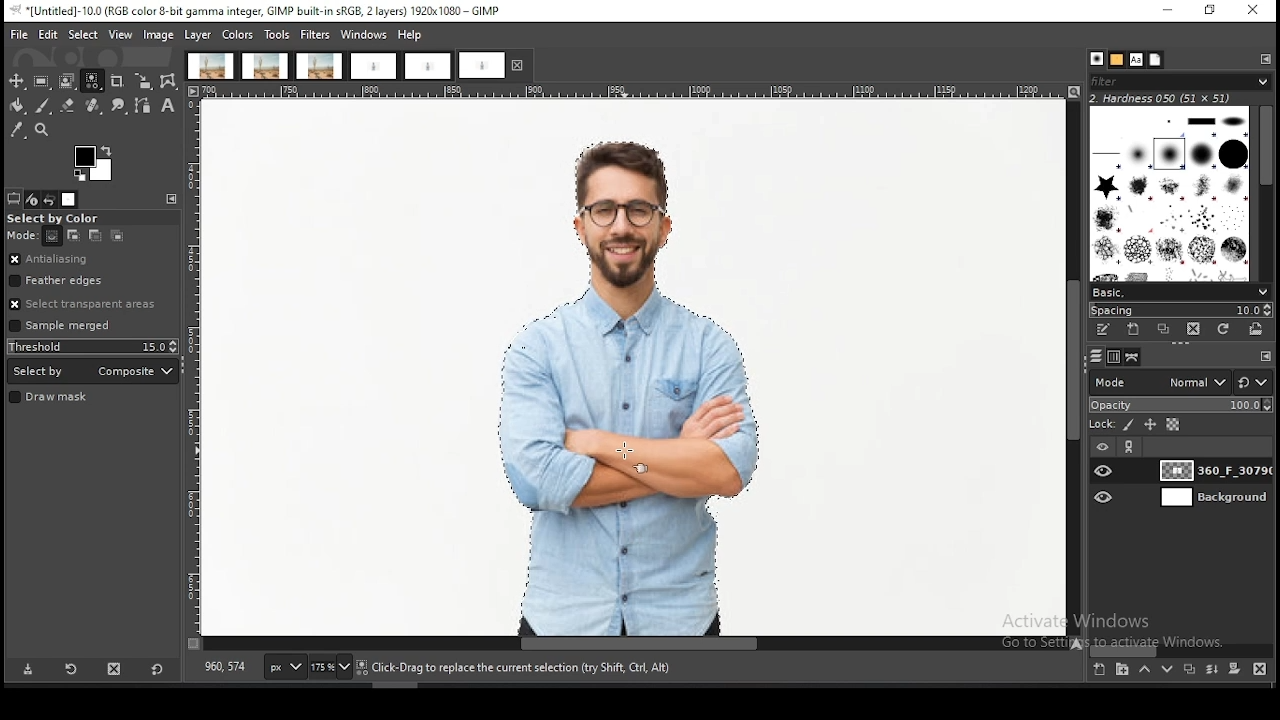 This screenshot has width=1280, height=720. I want to click on create a new layer, so click(1100, 668).